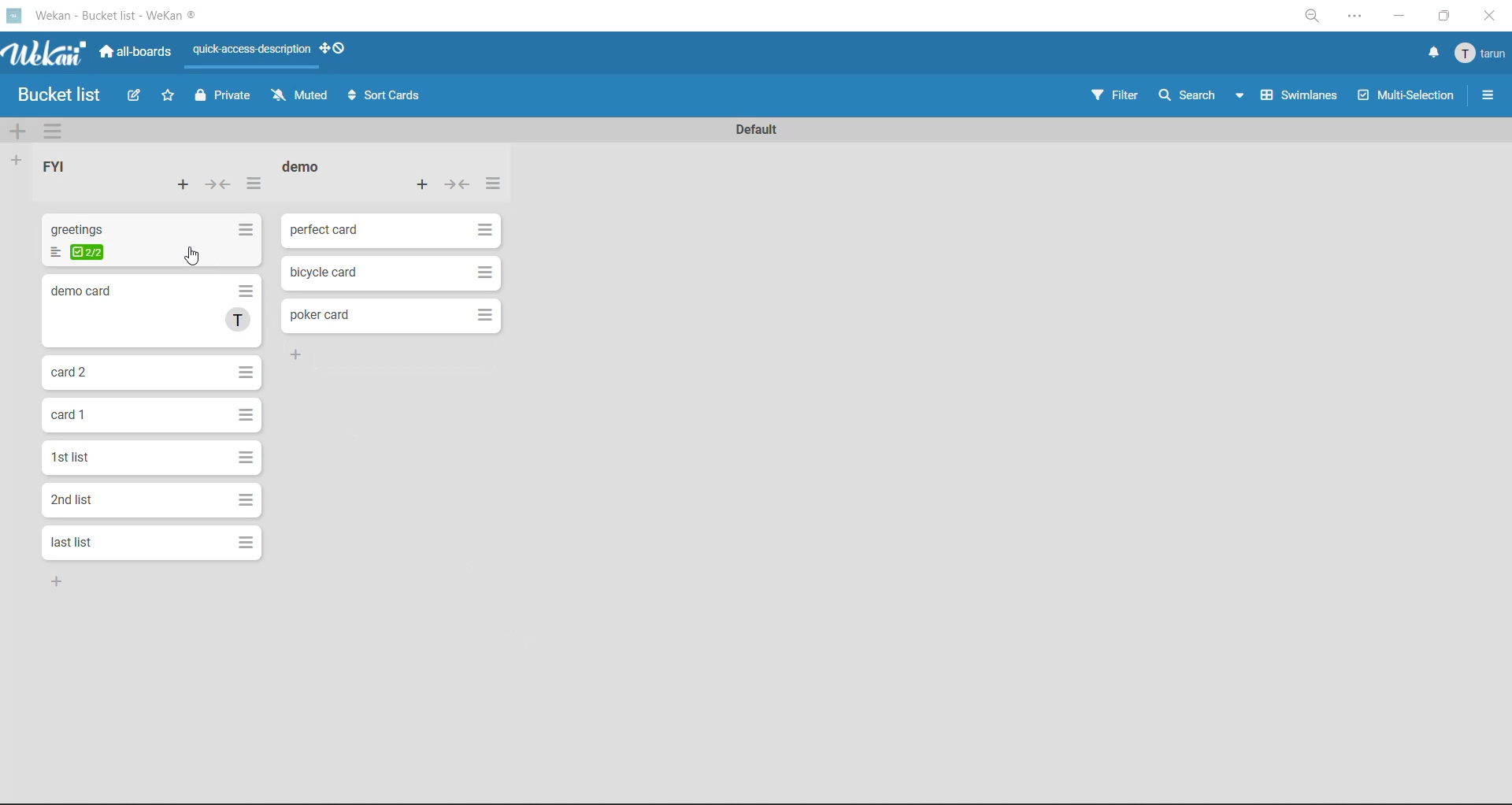 Image resolution: width=1512 pixels, height=805 pixels. Describe the element at coordinates (458, 185) in the screenshot. I see `collapse` at that location.